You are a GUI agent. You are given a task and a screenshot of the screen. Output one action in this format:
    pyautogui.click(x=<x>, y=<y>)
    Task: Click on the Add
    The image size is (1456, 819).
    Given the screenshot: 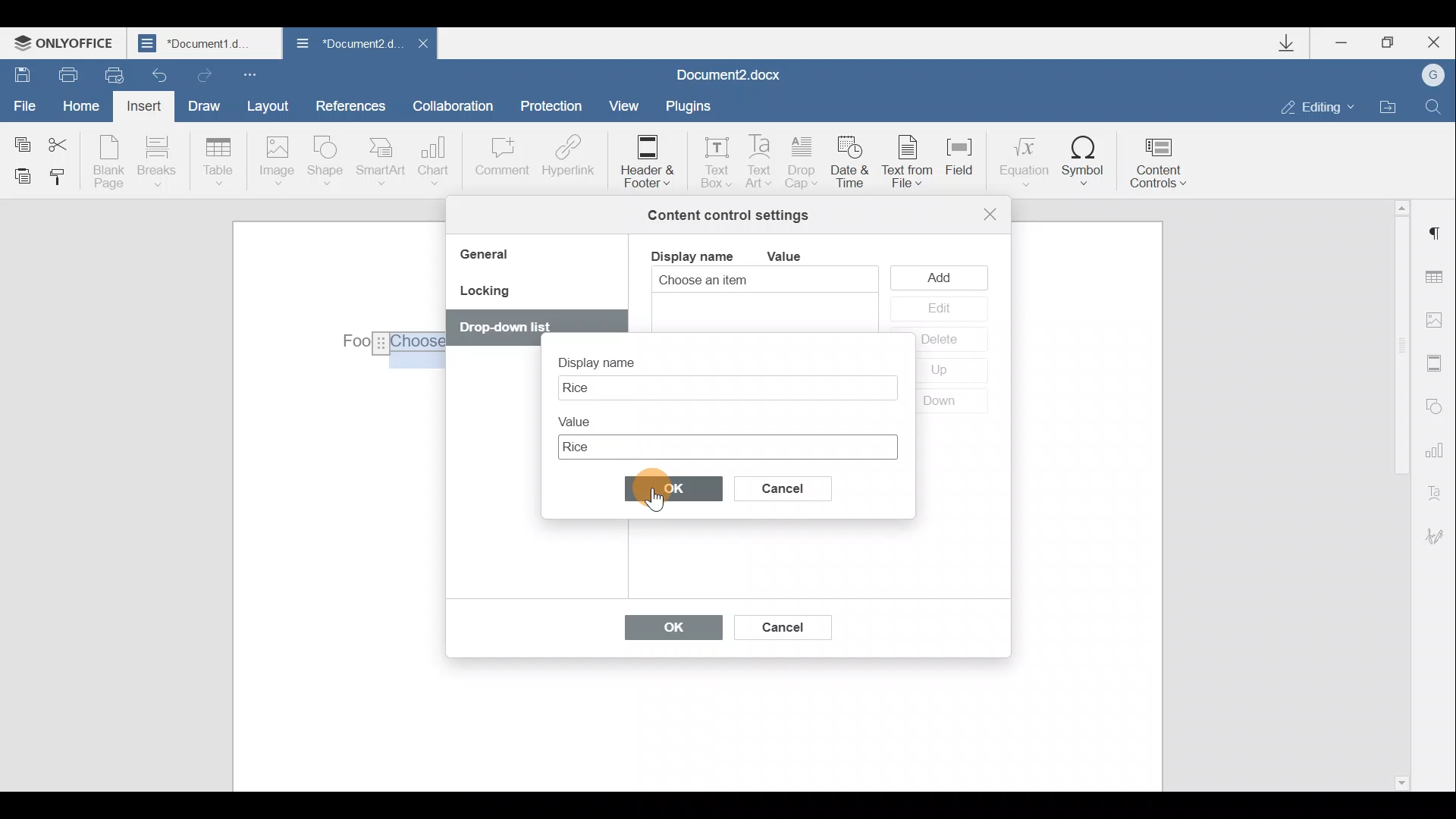 What is the action you would take?
    pyautogui.click(x=943, y=277)
    